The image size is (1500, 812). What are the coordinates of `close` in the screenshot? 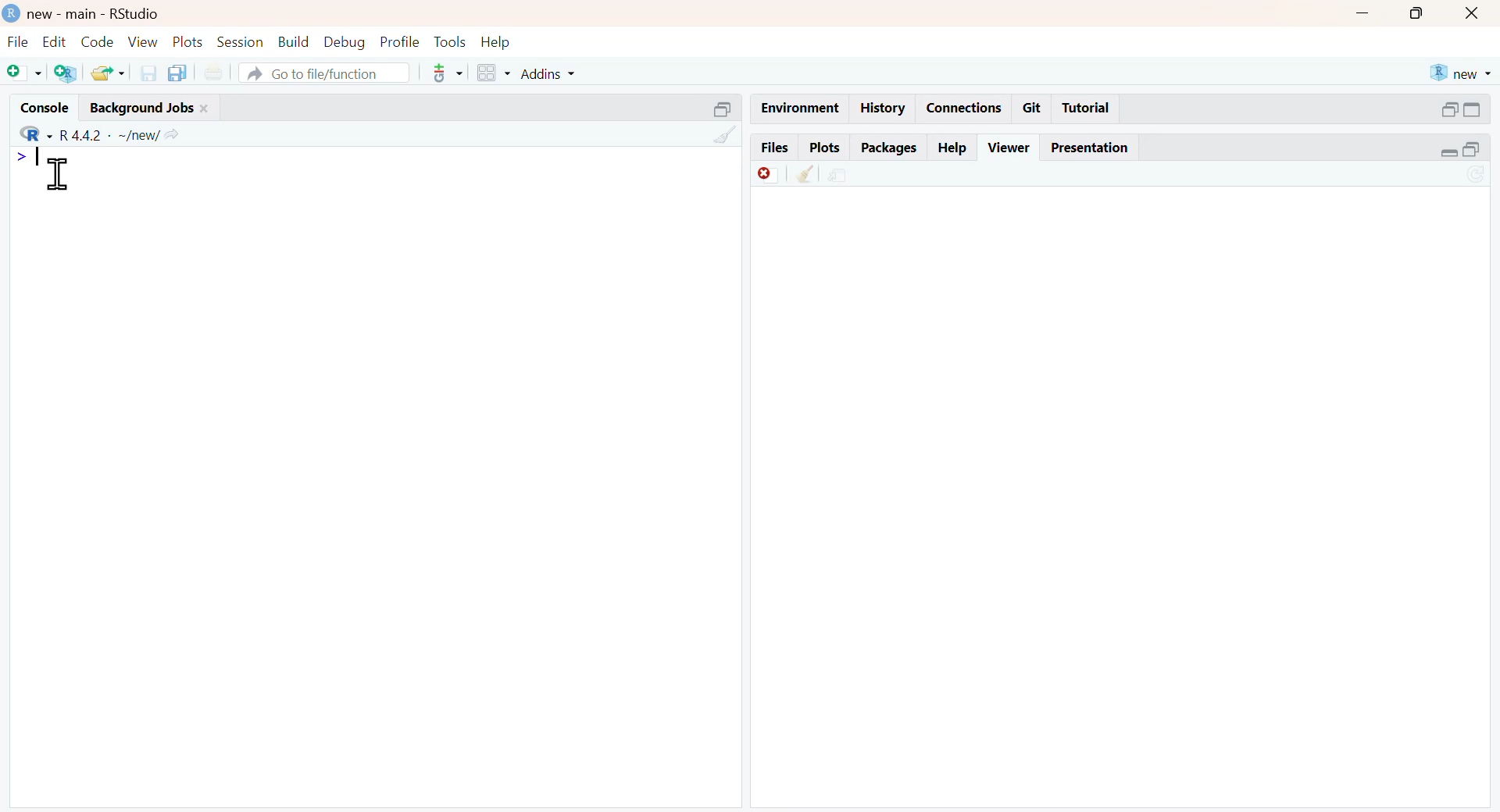 It's located at (1473, 14).